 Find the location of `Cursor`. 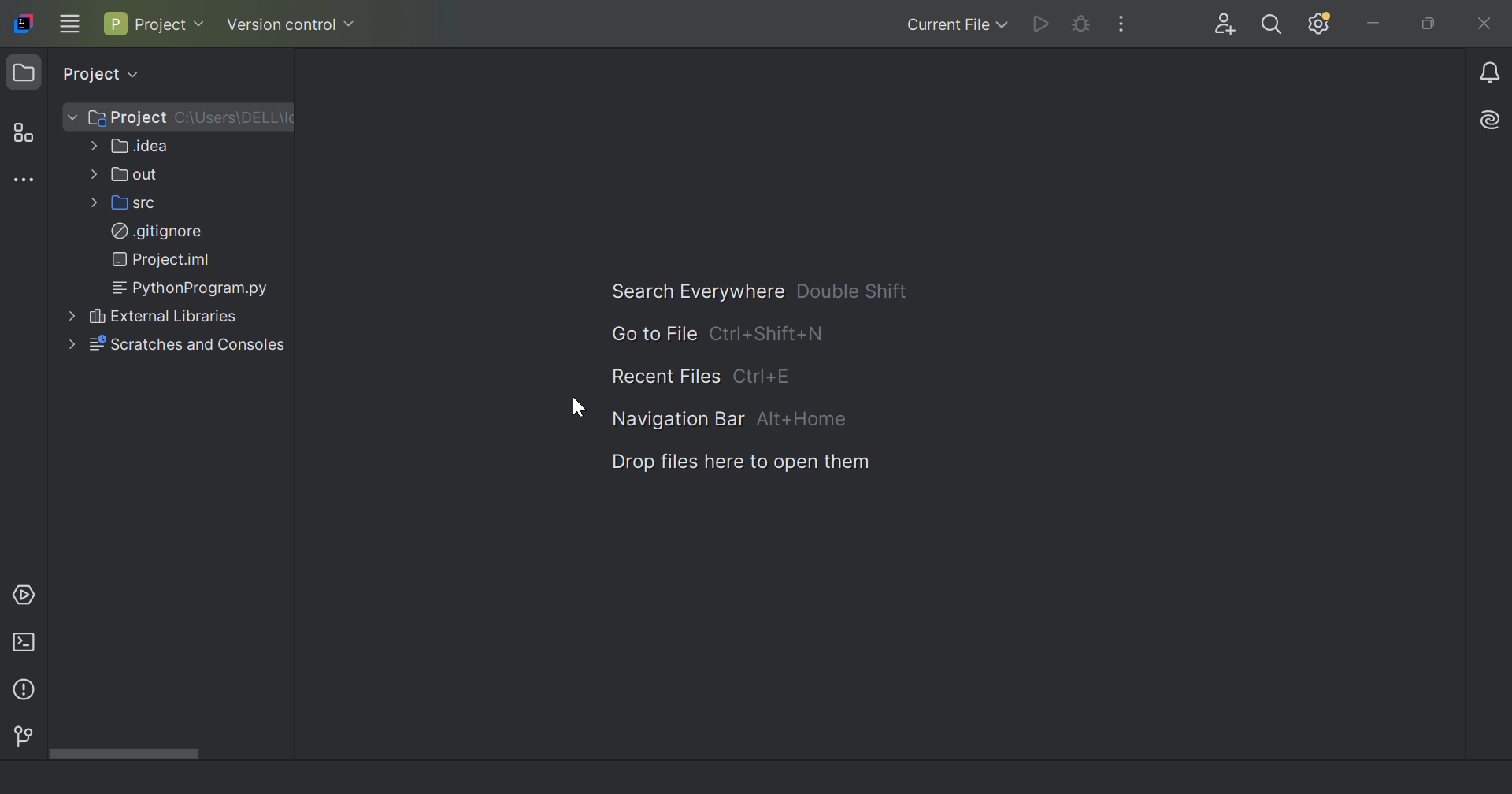

Cursor is located at coordinates (580, 407).